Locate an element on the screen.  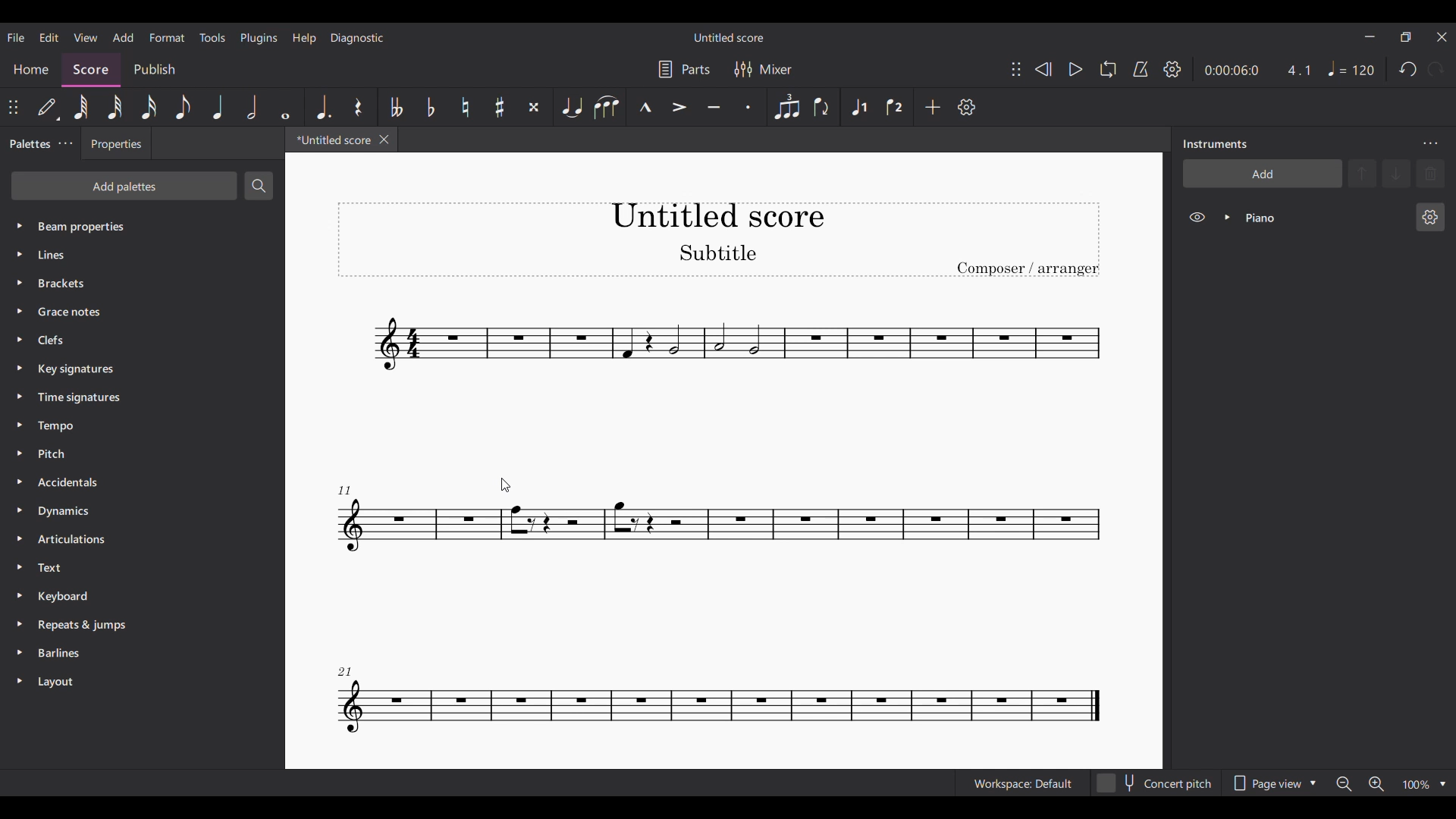
16th note is located at coordinates (148, 107).